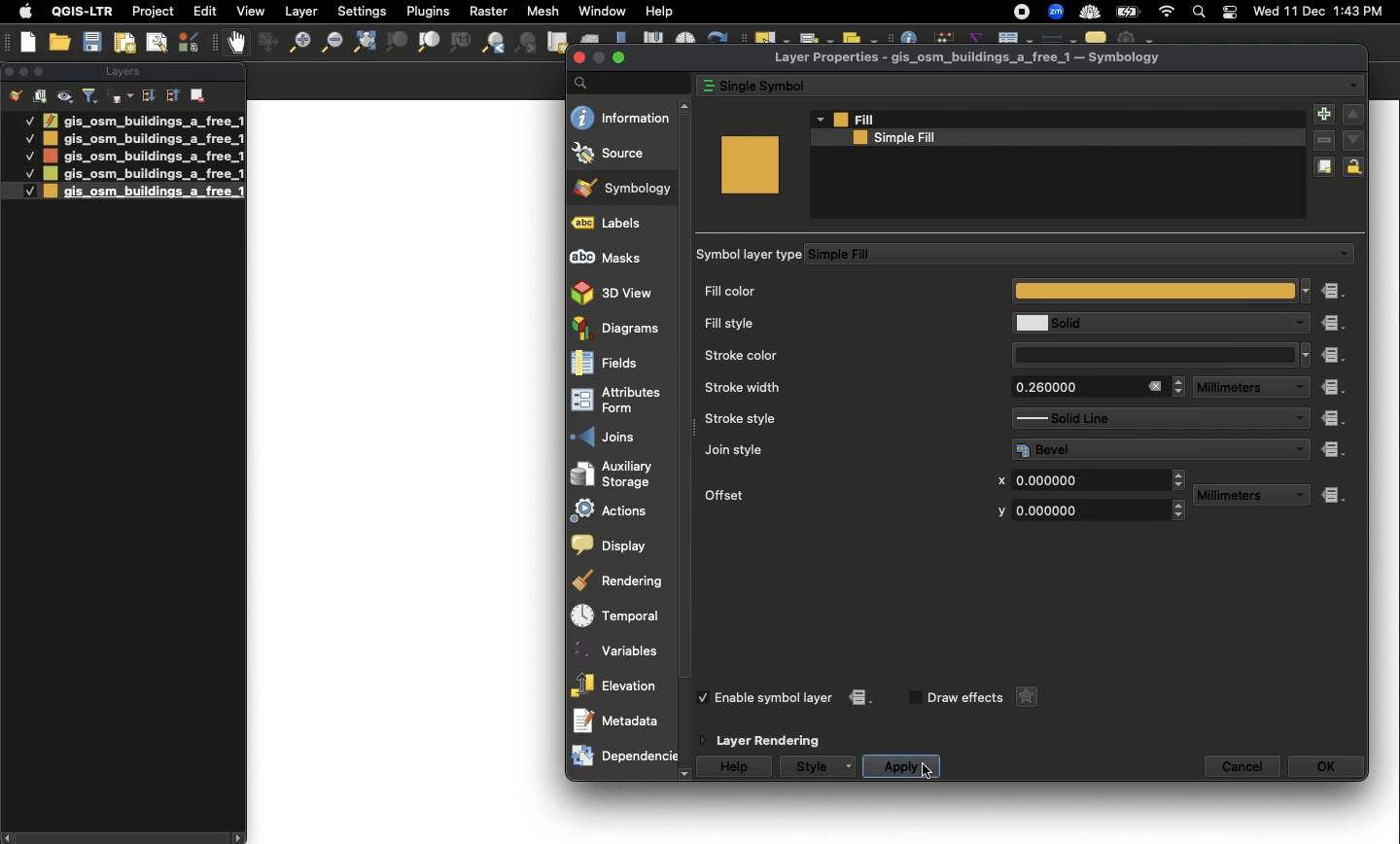  I want to click on Checked, so click(28, 120).